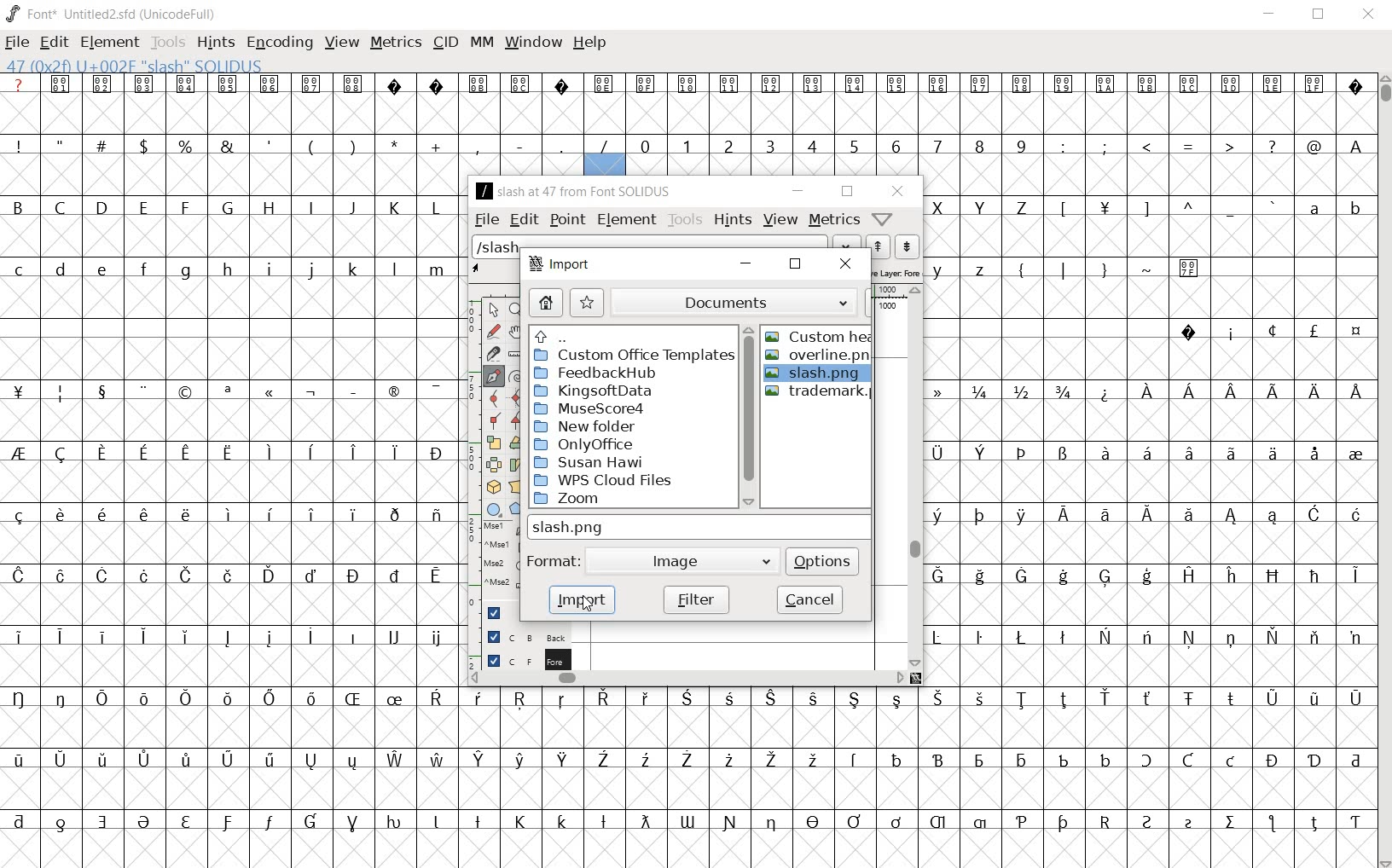 The width and height of the screenshot is (1392, 868). I want to click on 47(0*2f)U+002F "SLASH" SOLIDUS, so click(605, 163).